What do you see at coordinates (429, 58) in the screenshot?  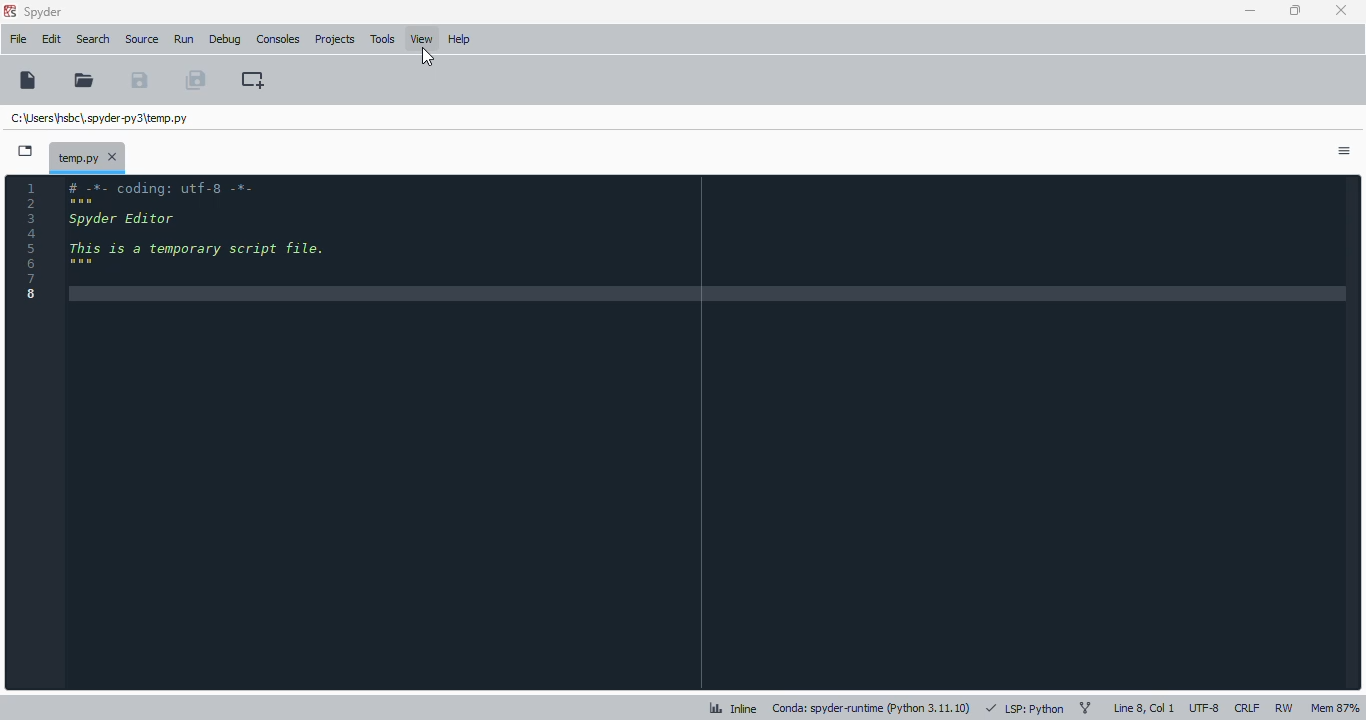 I see `cursor` at bounding box center [429, 58].